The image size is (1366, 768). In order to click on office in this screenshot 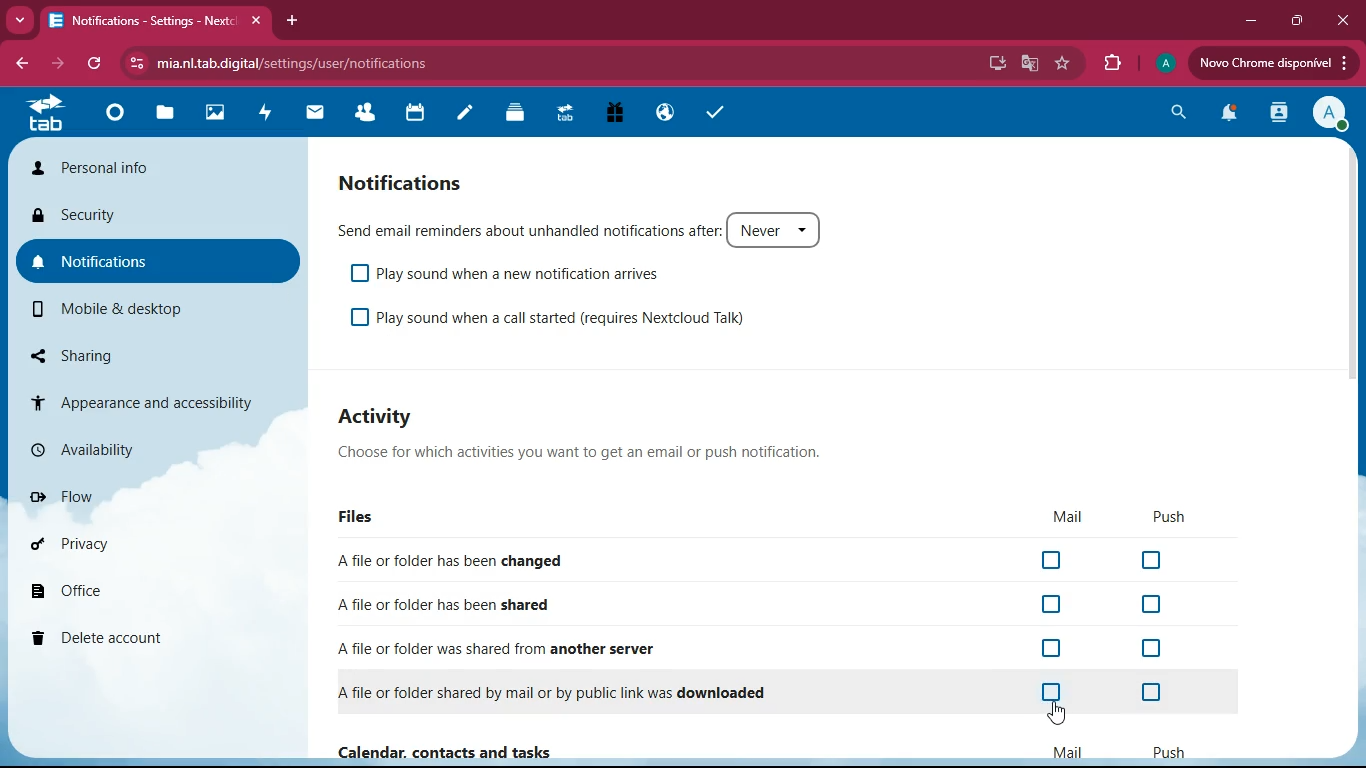, I will do `click(119, 584)`.